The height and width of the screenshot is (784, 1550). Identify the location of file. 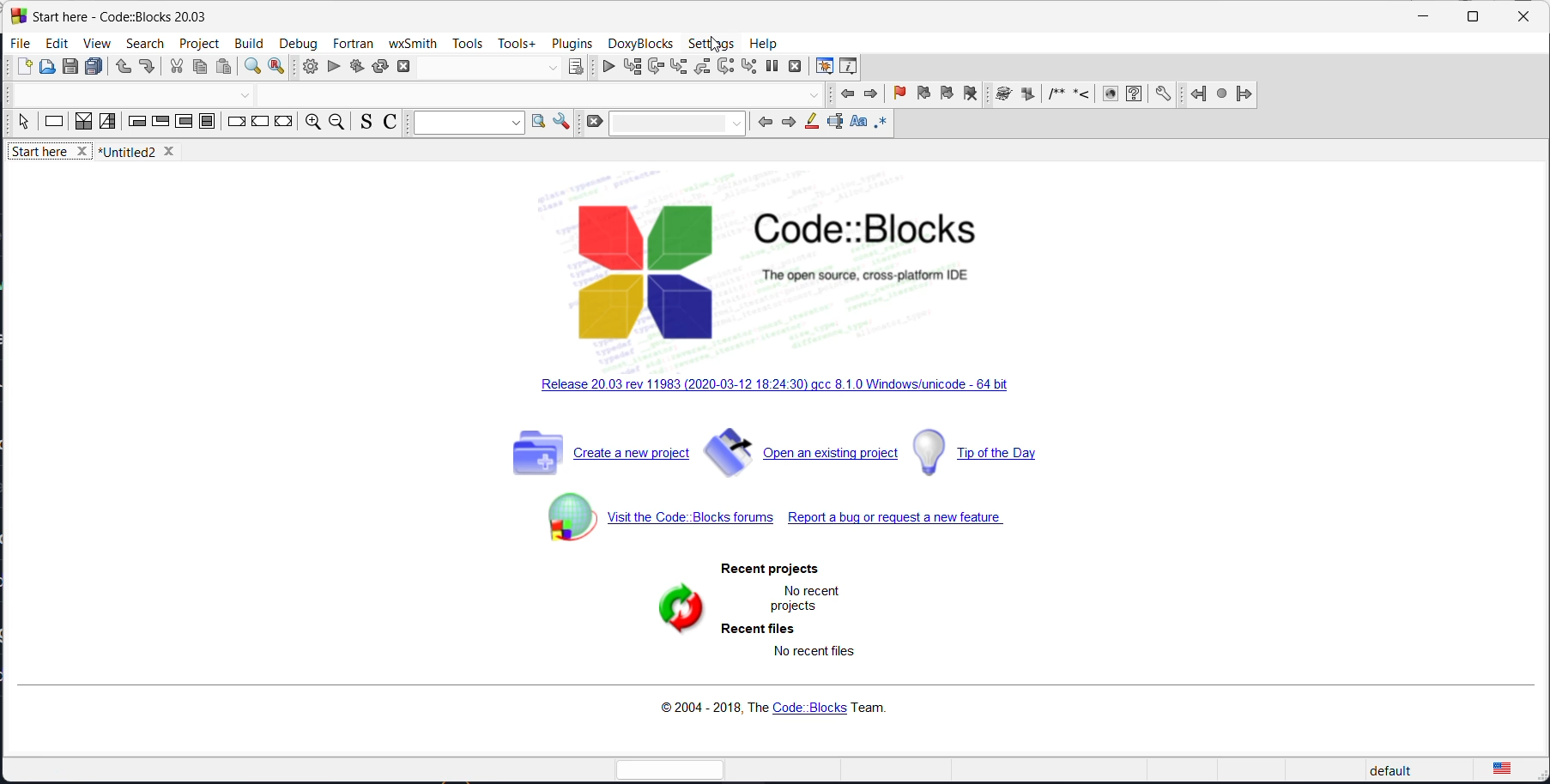
(21, 43).